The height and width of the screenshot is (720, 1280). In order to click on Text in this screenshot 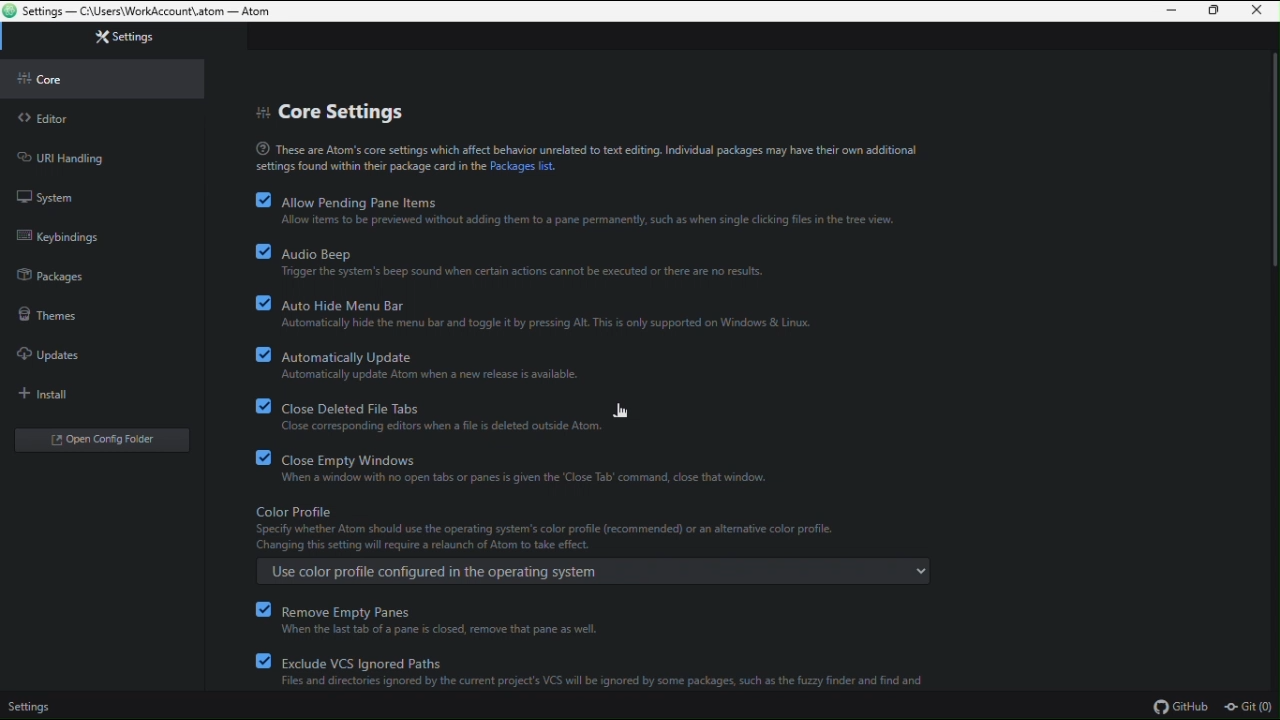, I will do `click(584, 155)`.